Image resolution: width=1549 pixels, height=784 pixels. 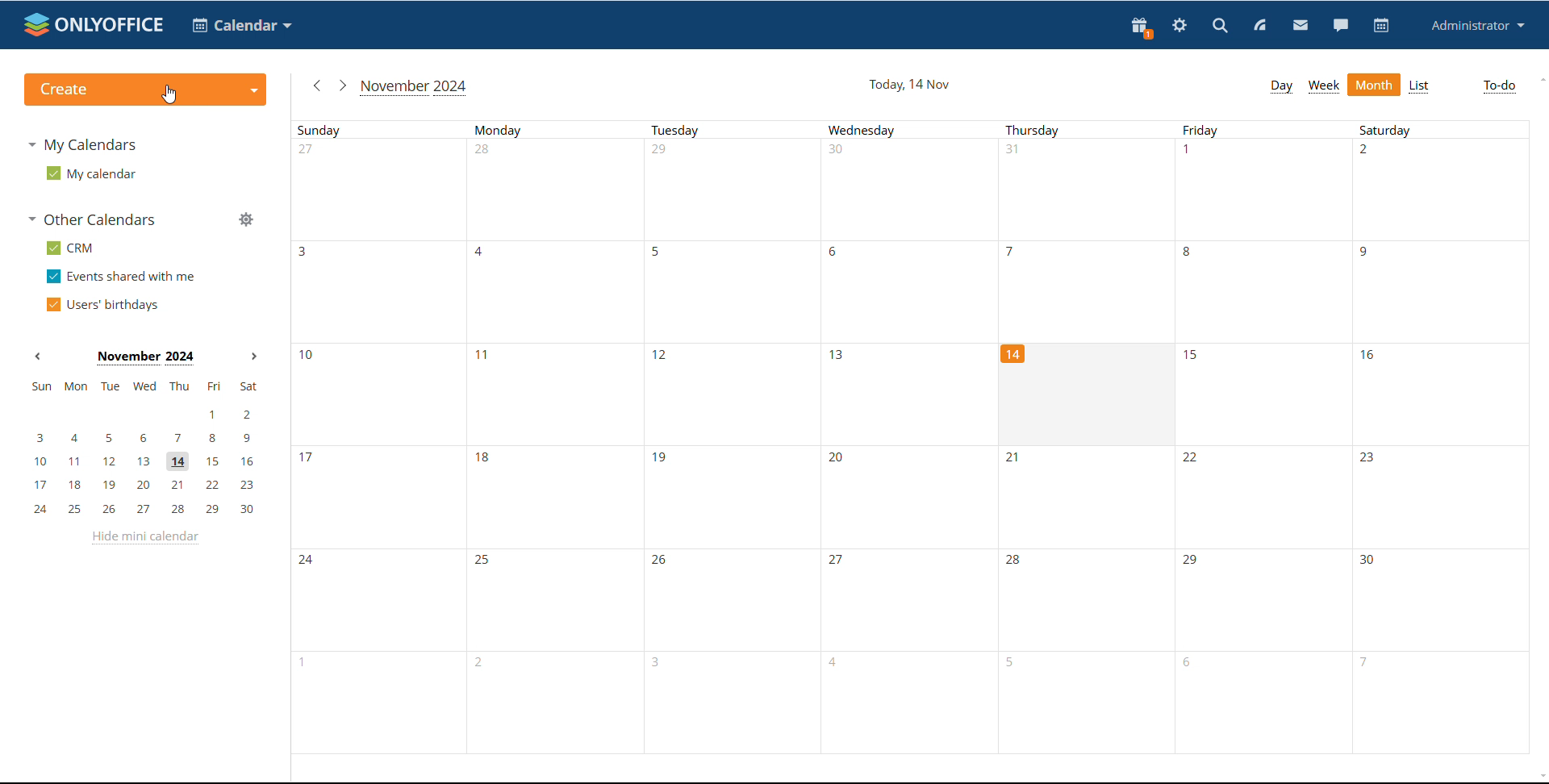 I want to click on hide mini calendar, so click(x=144, y=537).